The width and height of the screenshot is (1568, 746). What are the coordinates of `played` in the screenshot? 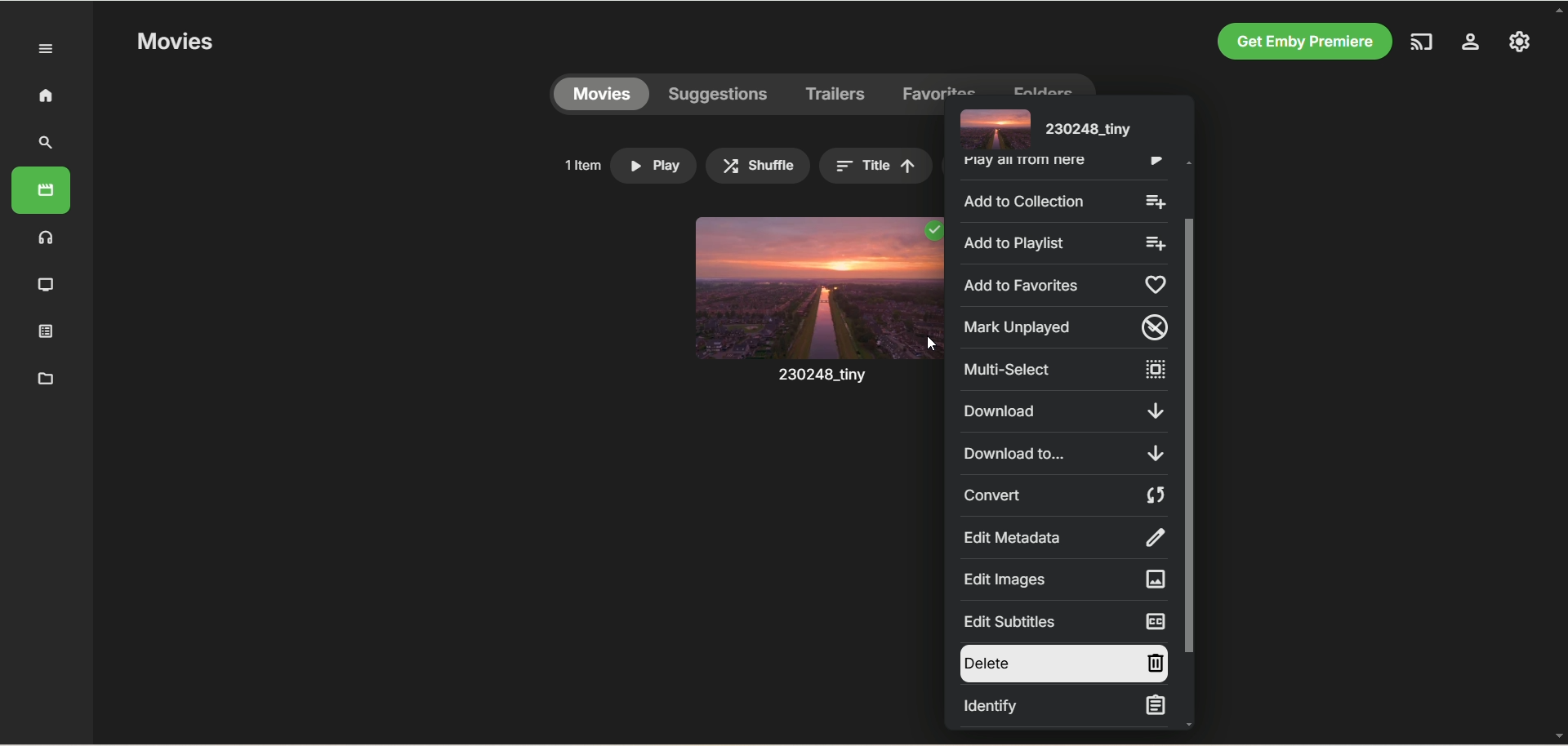 It's located at (932, 231).